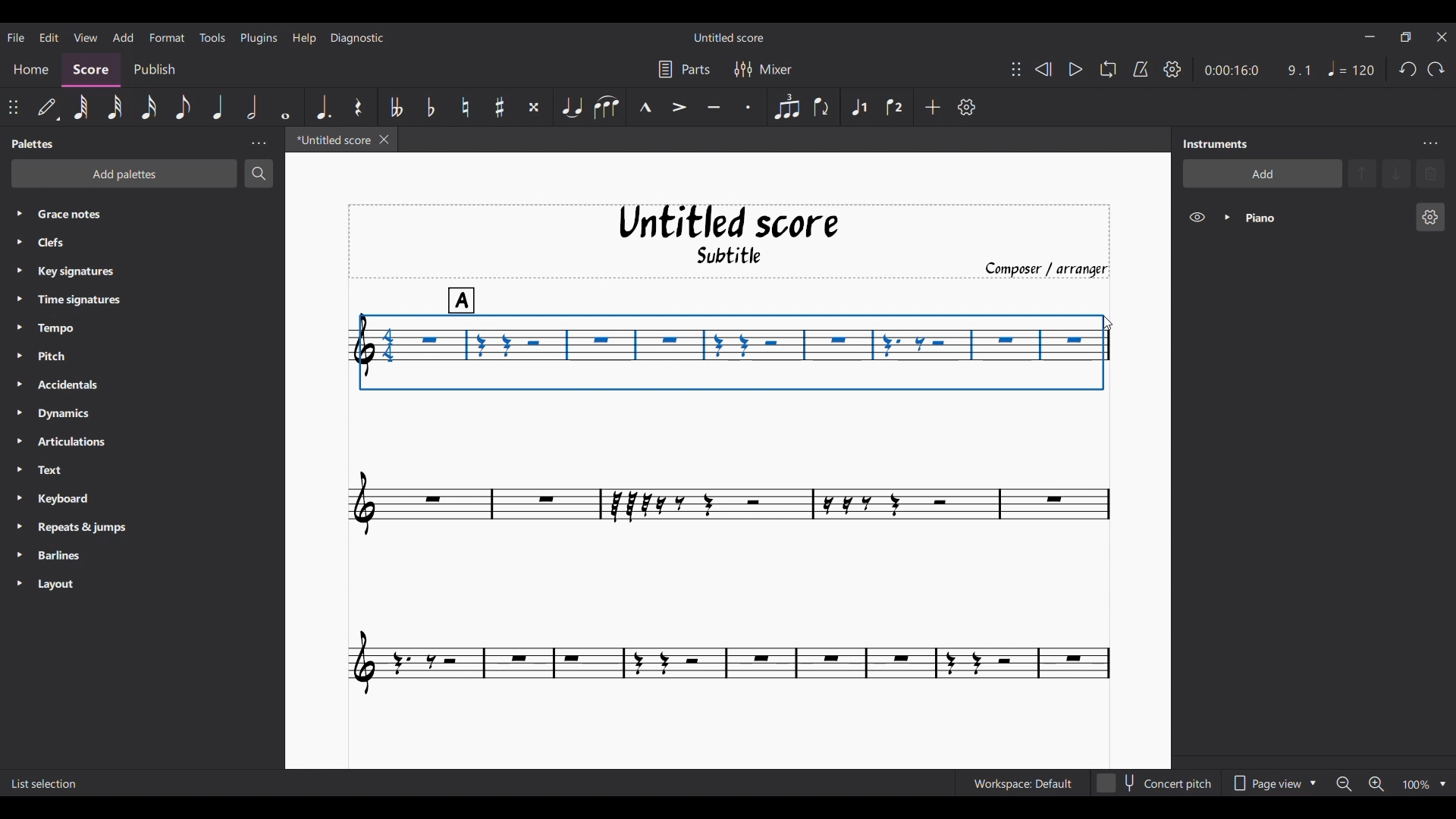  I want to click on Barlines, so click(82, 557).